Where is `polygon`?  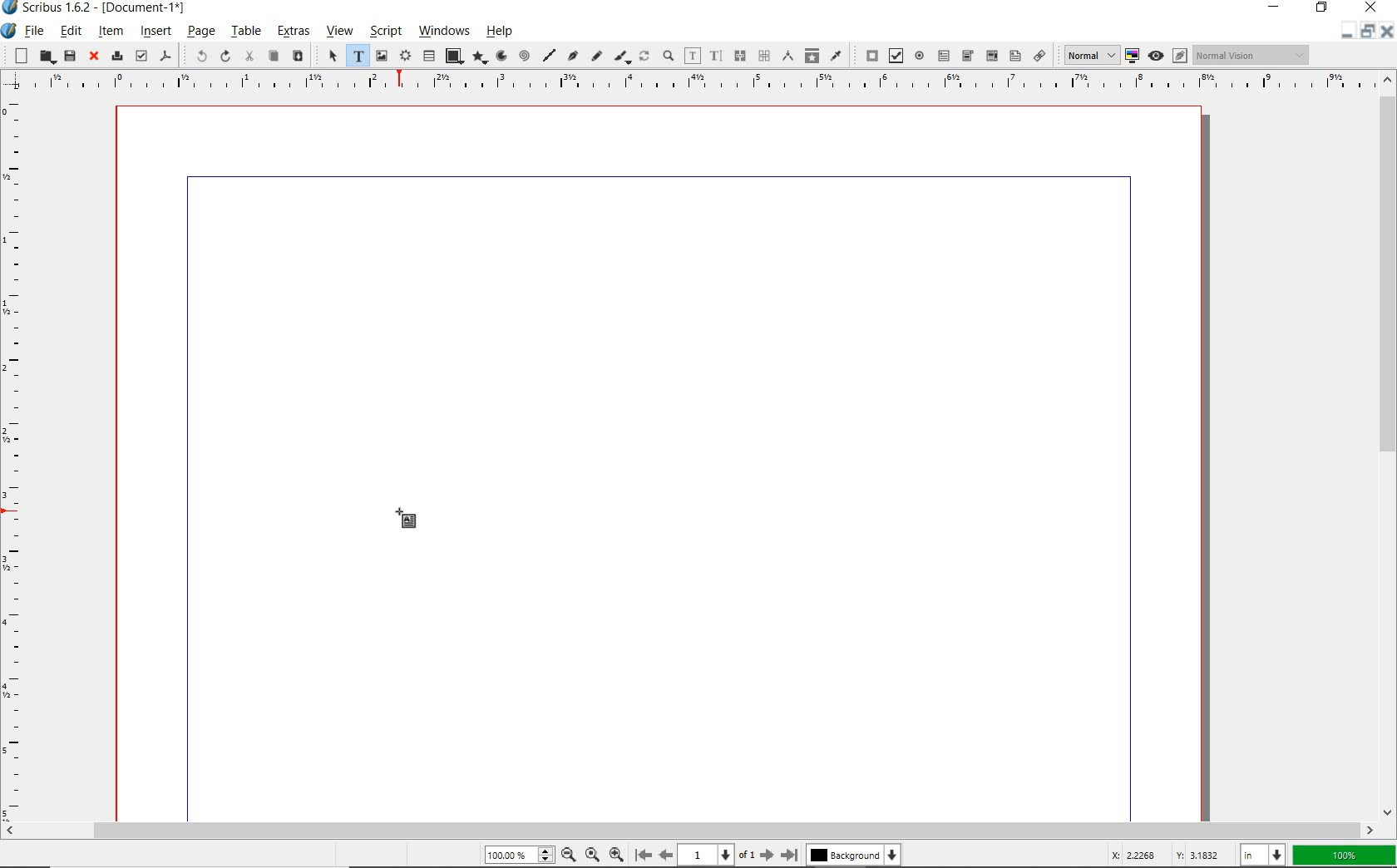
polygon is located at coordinates (477, 58).